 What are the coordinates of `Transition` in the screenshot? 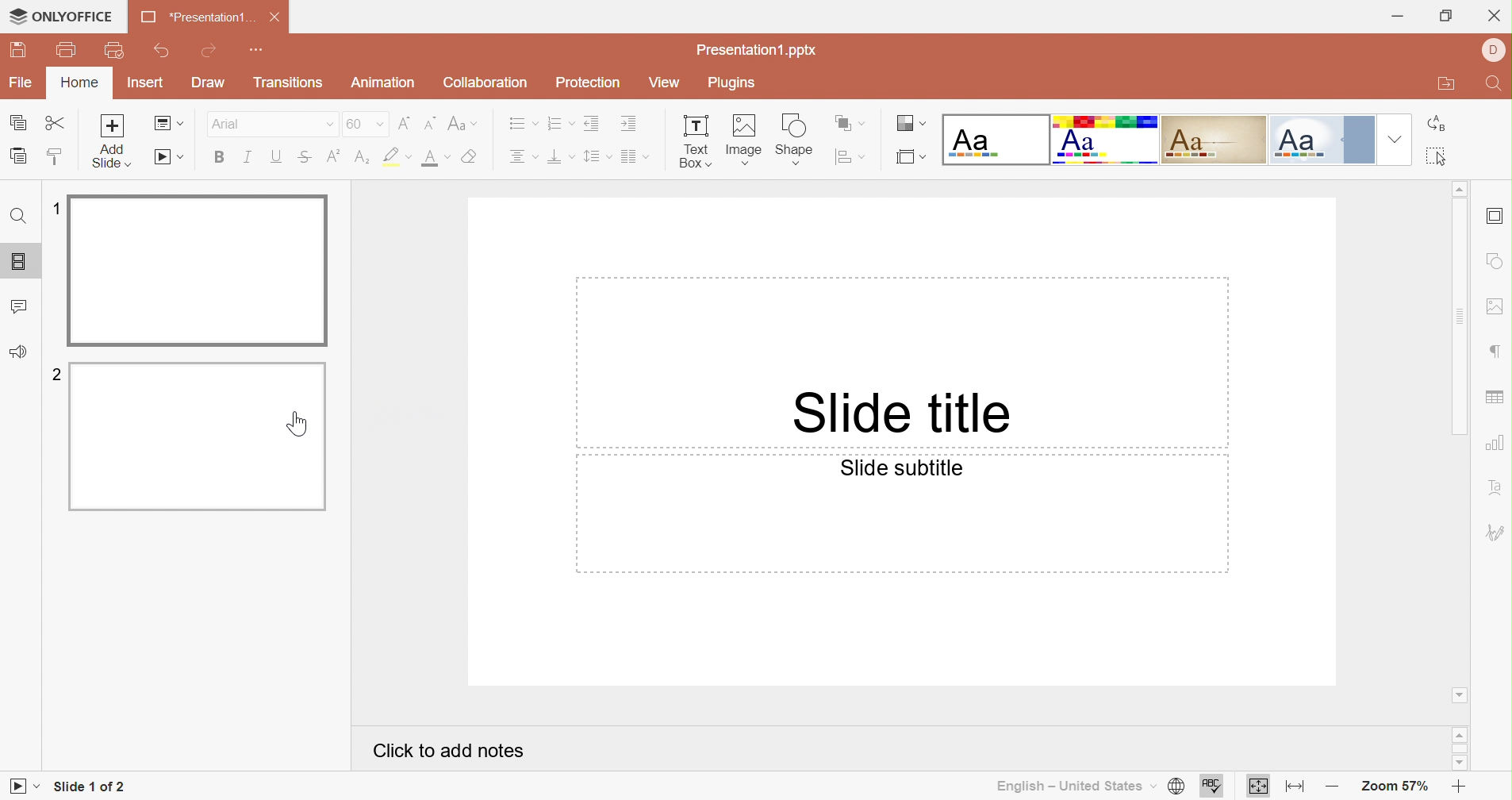 It's located at (289, 86).